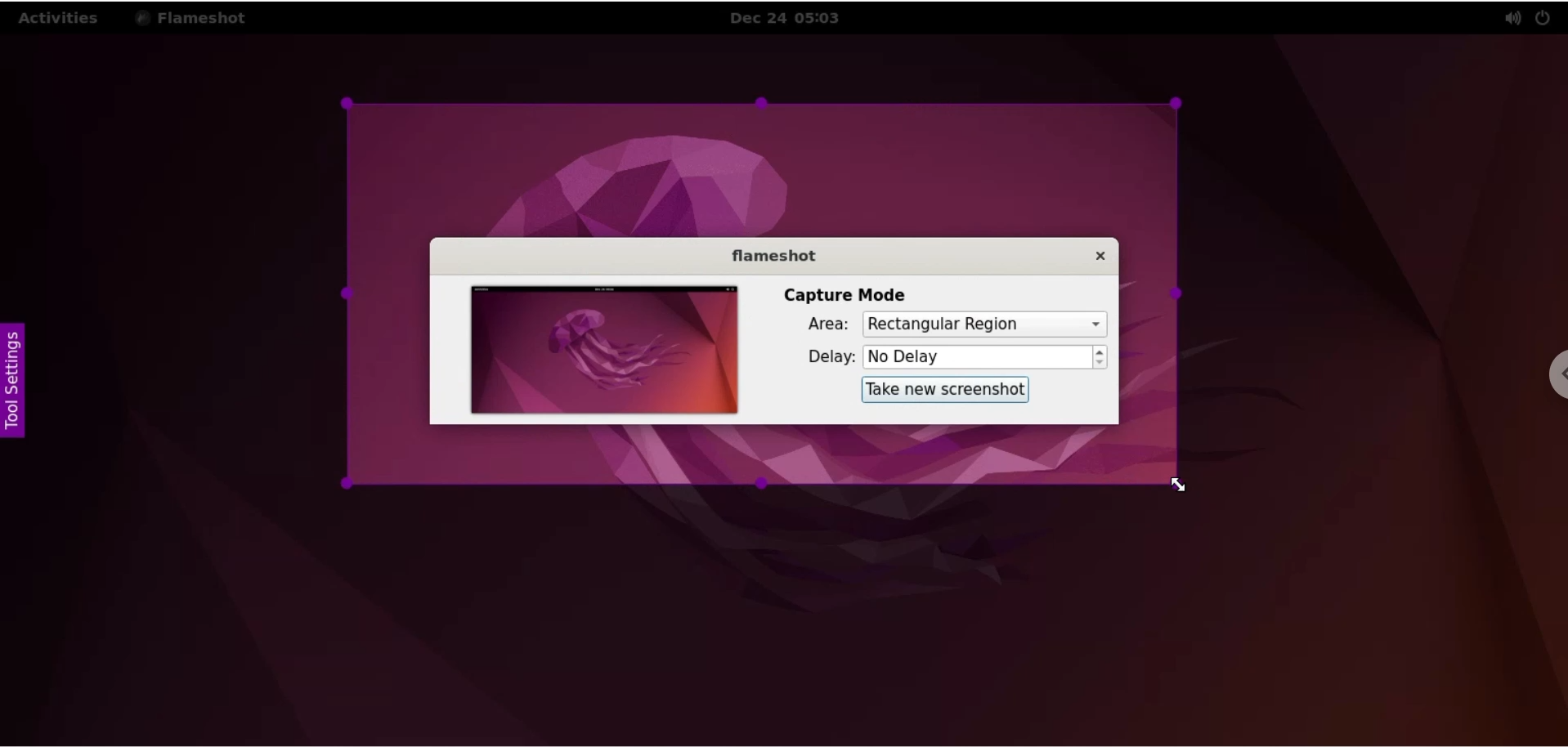 This screenshot has width=1568, height=747. Describe the element at coordinates (792, 18) in the screenshot. I see `Dec 24 05:03` at that location.